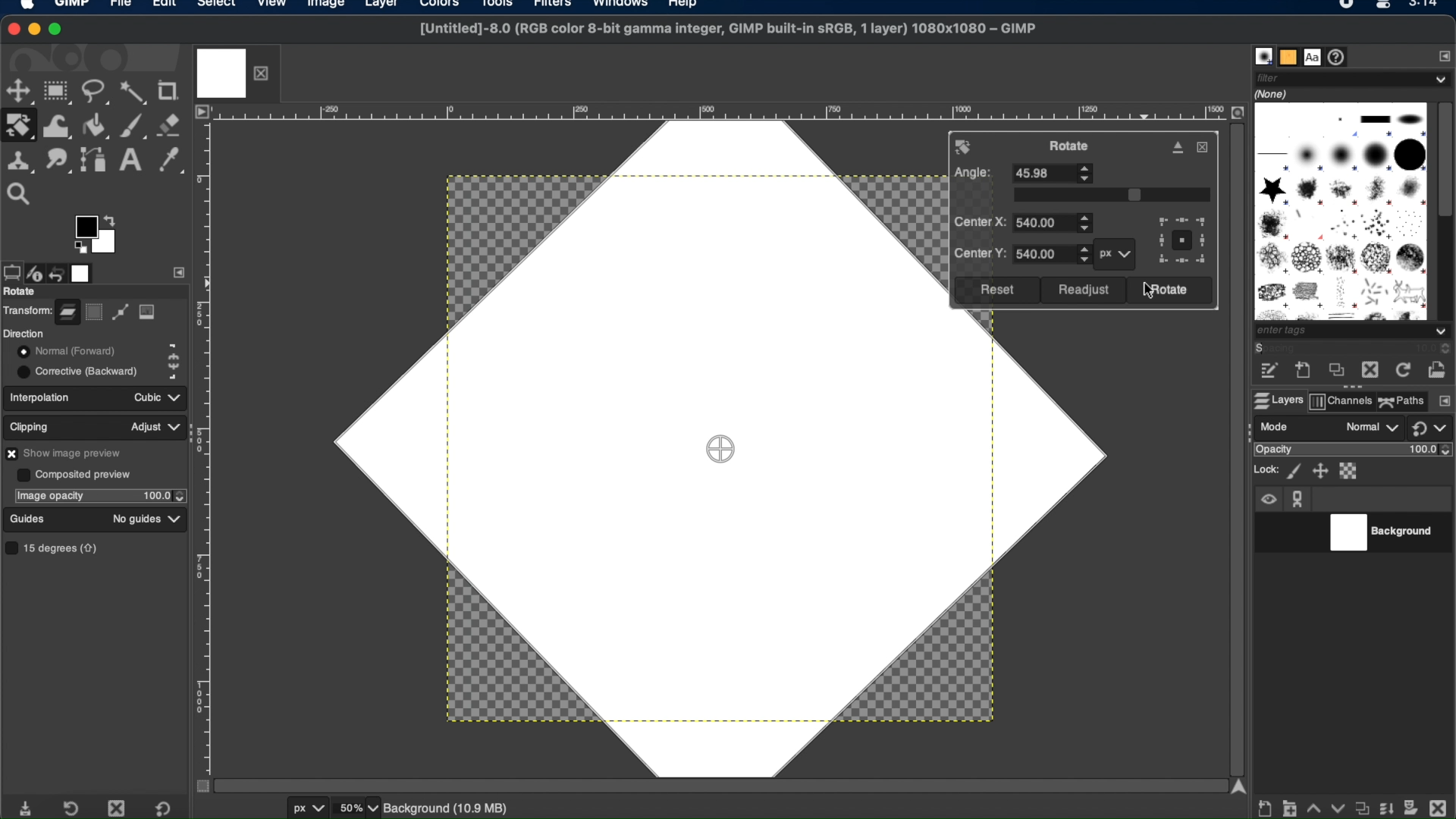 The image size is (1456, 819). Describe the element at coordinates (171, 373) in the screenshot. I see `corrective backward icon` at that location.